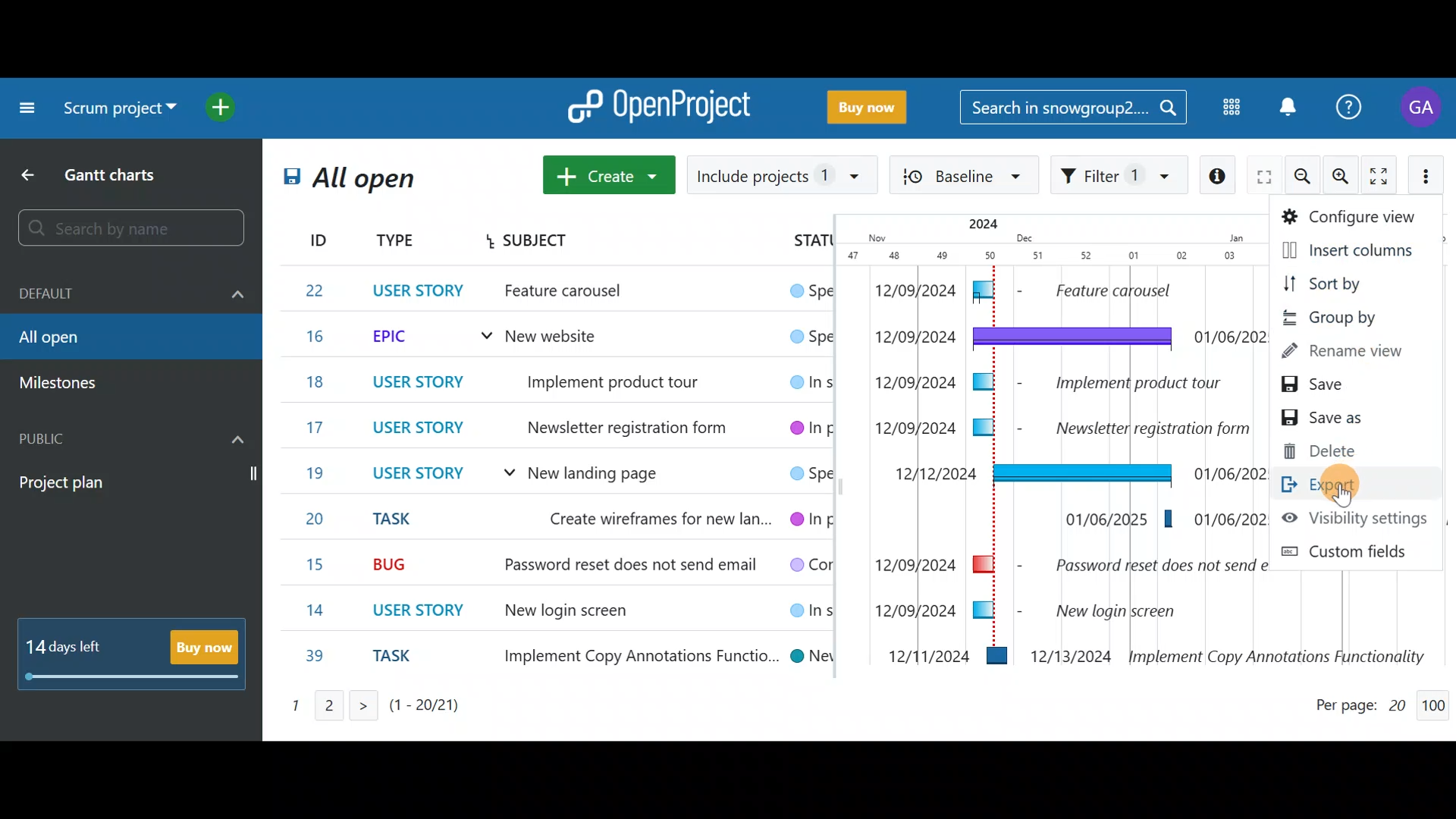 The width and height of the screenshot is (1456, 819). Describe the element at coordinates (1334, 318) in the screenshot. I see `Group by` at that location.